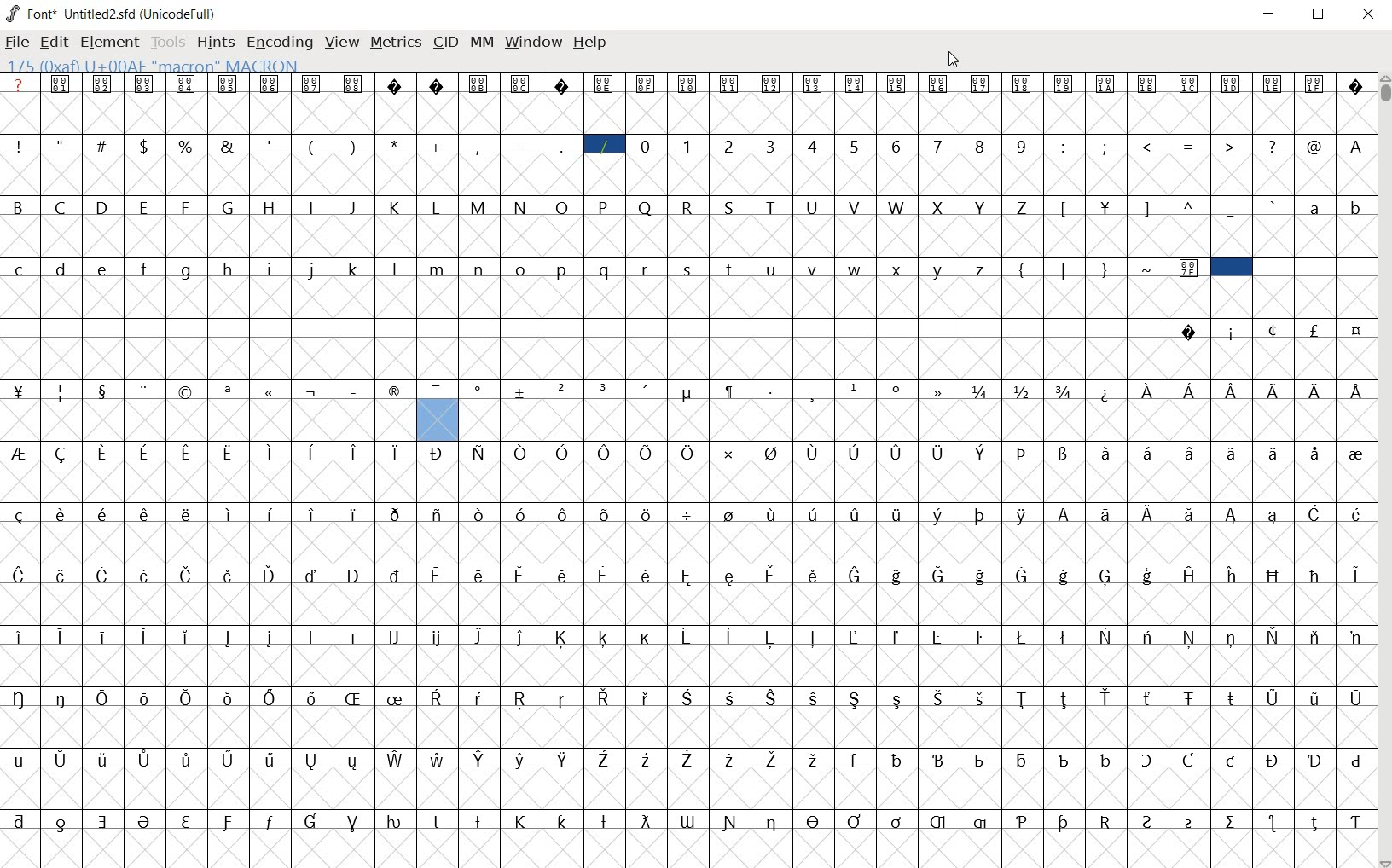 This screenshot has height=868, width=1392. Describe the element at coordinates (1231, 267) in the screenshot. I see `selected cell` at that location.